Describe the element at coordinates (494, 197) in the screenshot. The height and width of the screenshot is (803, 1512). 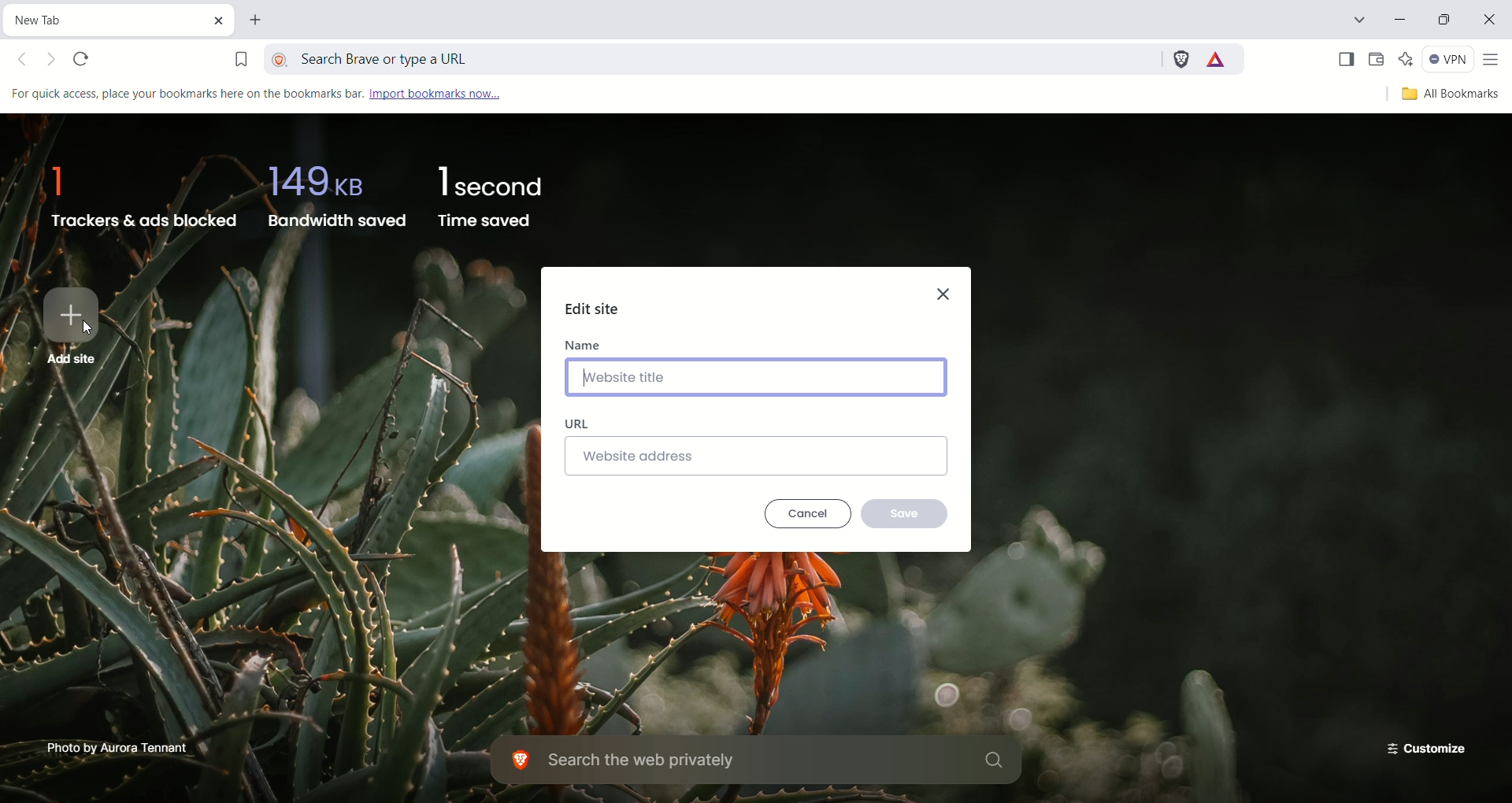
I see `time saved` at that location.